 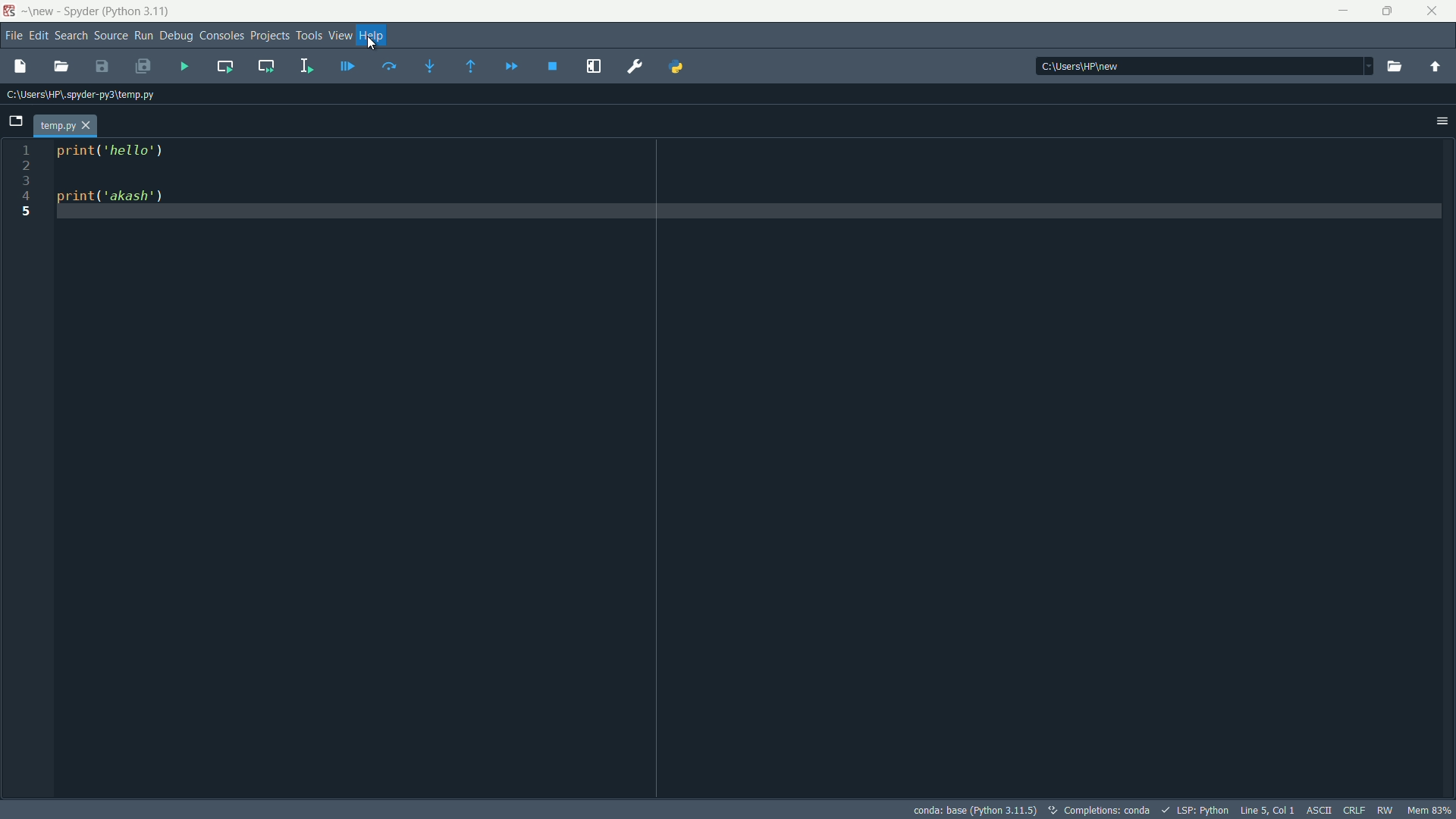 I want to click on memory usage: 63%, so click(x=1430, y=811).